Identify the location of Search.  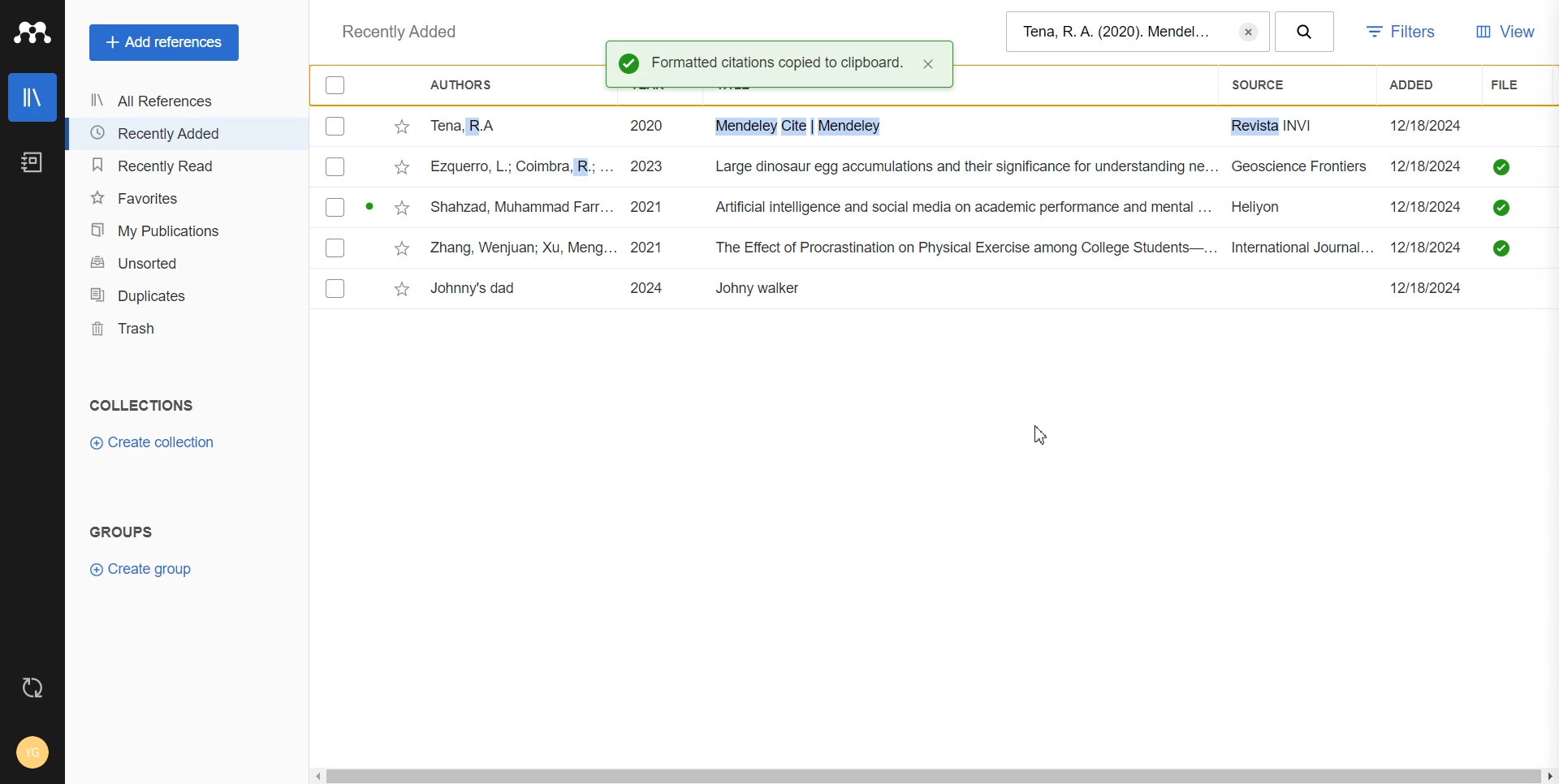
(1304, 30).